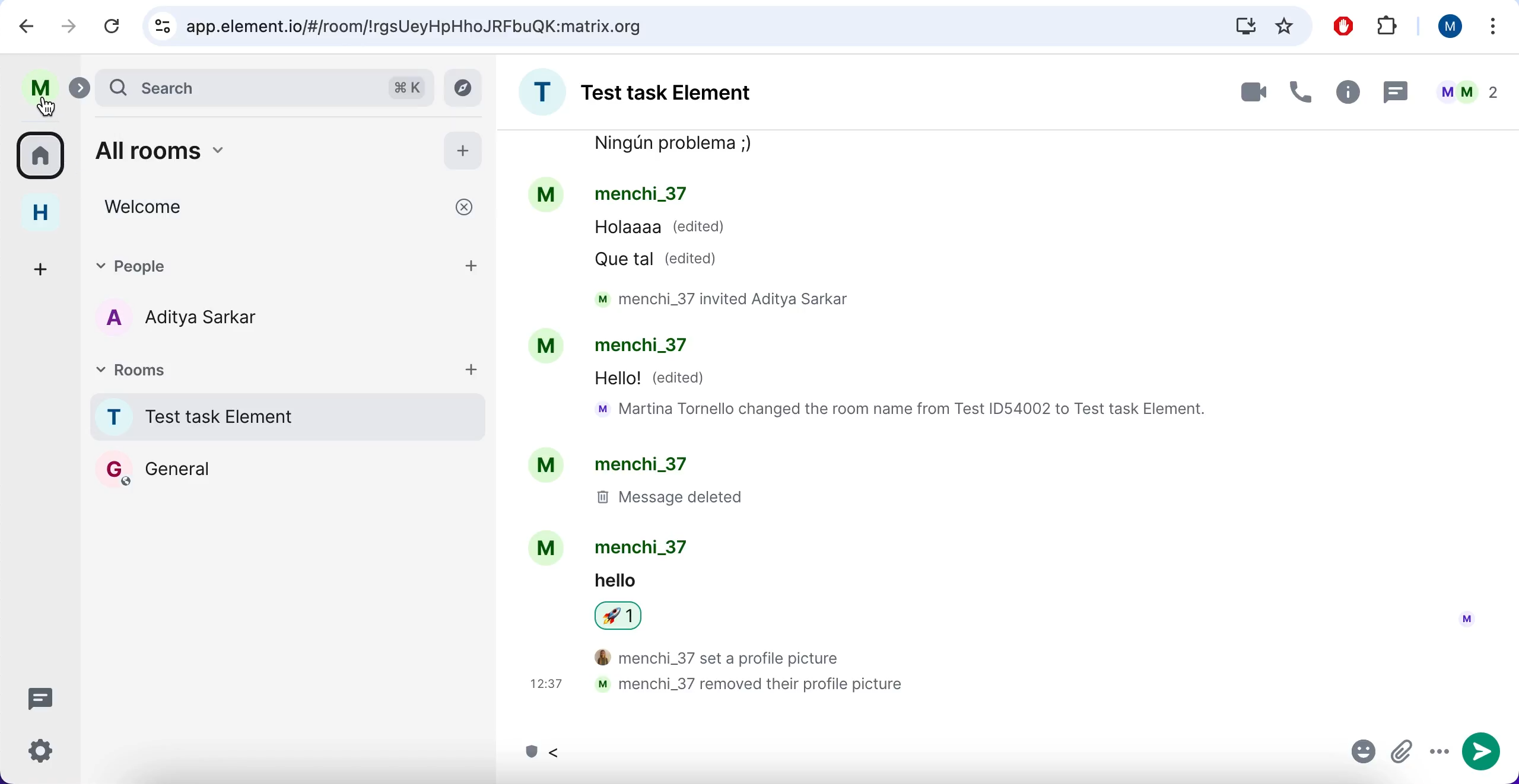 The image size is (1519, 784). Describe the element at coordinates (39, 215) in the screenshot. I see `home` at that location.